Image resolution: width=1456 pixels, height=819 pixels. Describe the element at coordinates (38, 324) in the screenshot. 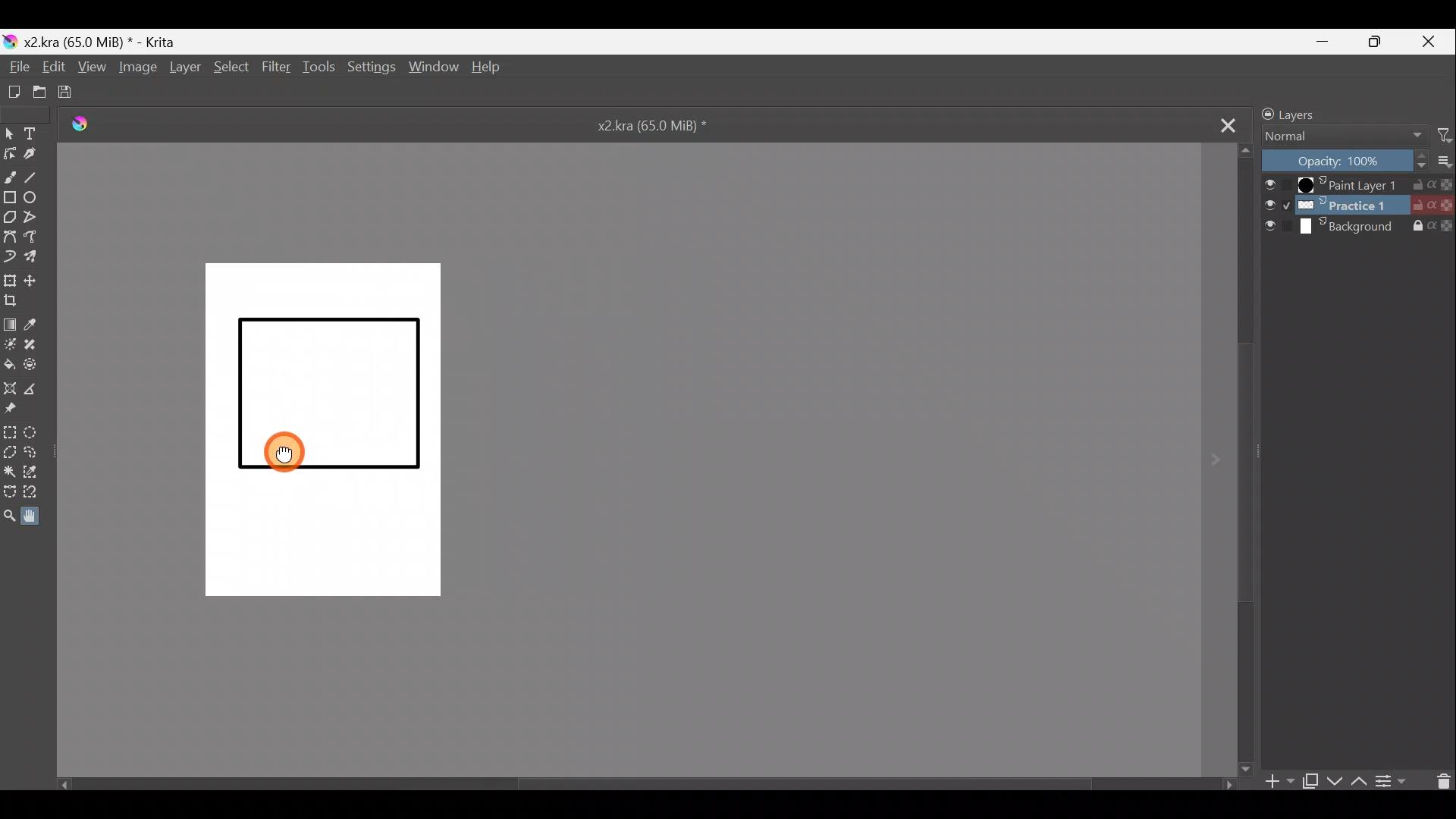

I see `Sample a colour from the image/current layer` at that location.